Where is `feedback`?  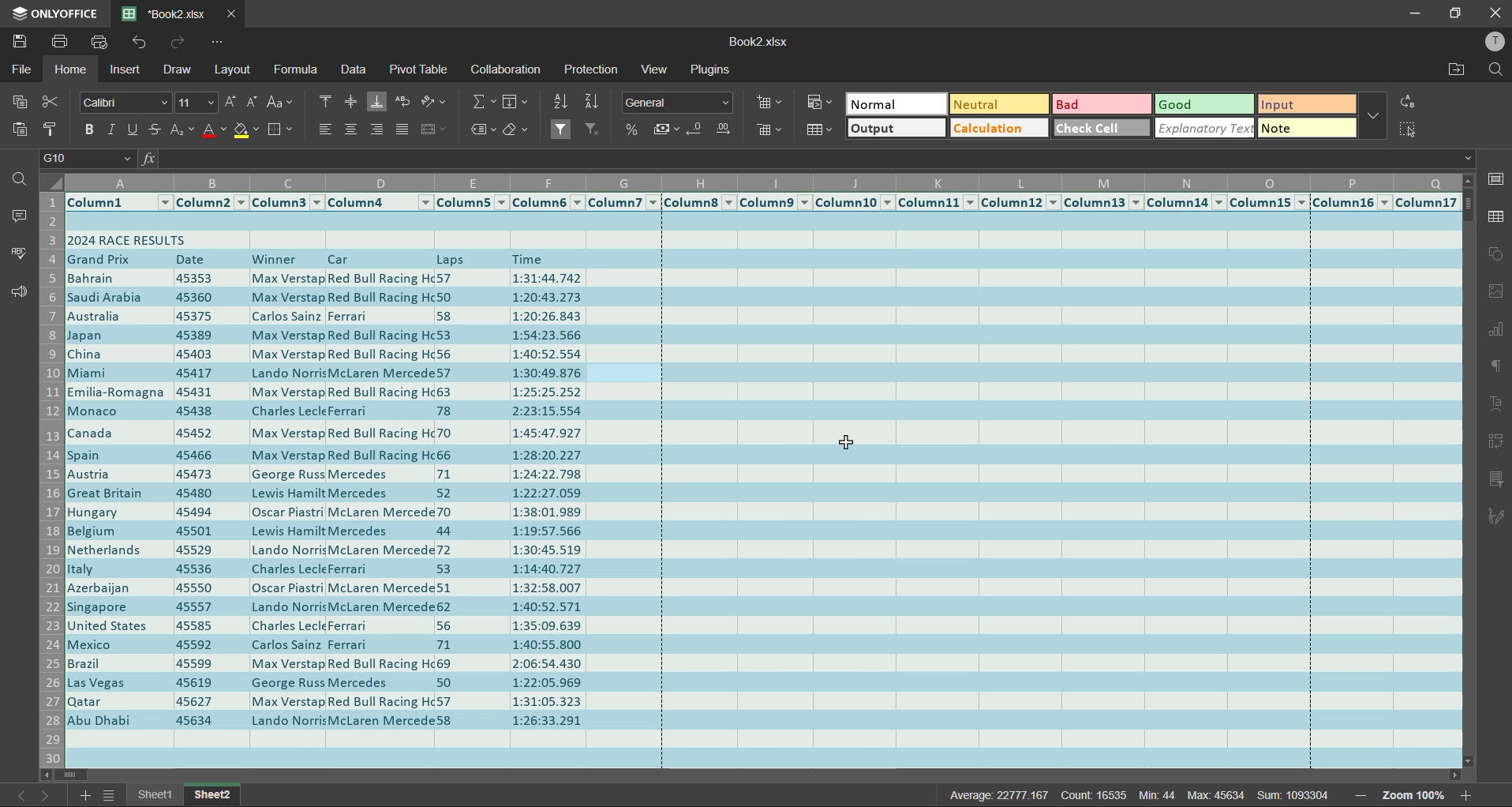
feedback is located at coordinates (18, 294).